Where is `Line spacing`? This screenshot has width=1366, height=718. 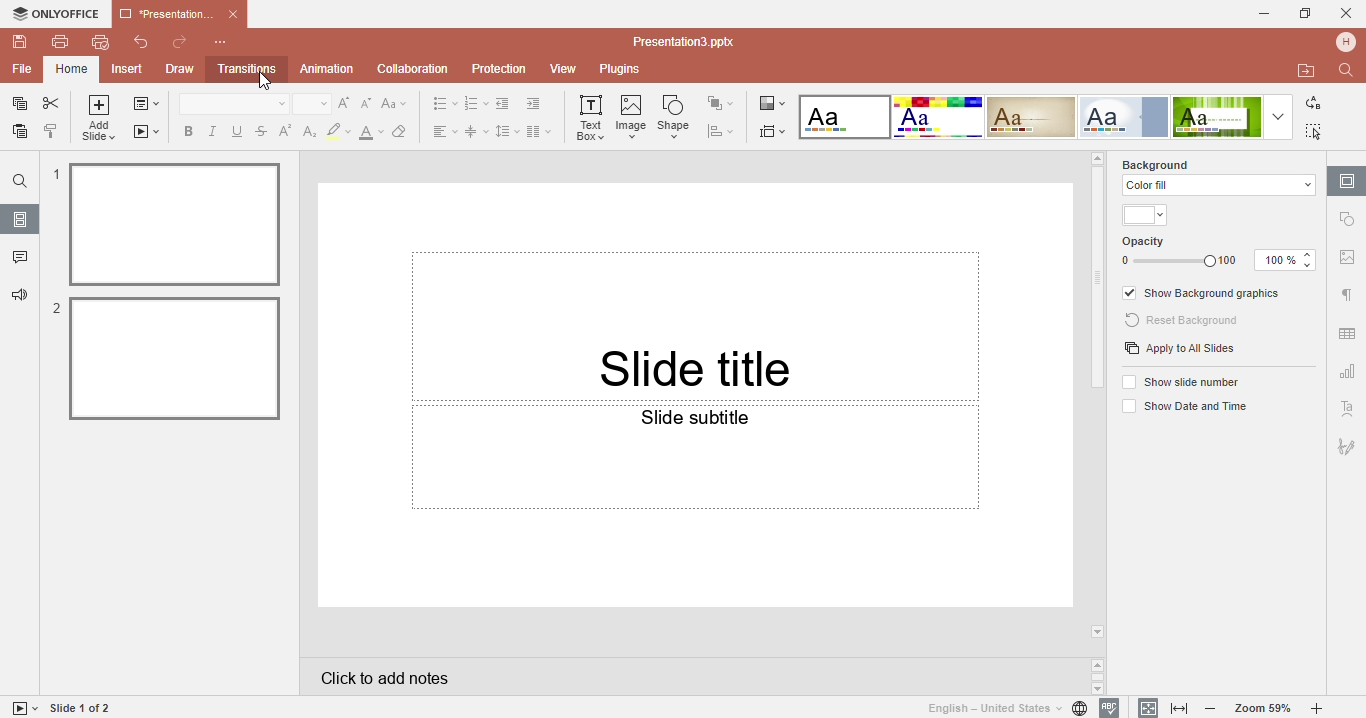 Line spacing is located at coordinates (508, 131).